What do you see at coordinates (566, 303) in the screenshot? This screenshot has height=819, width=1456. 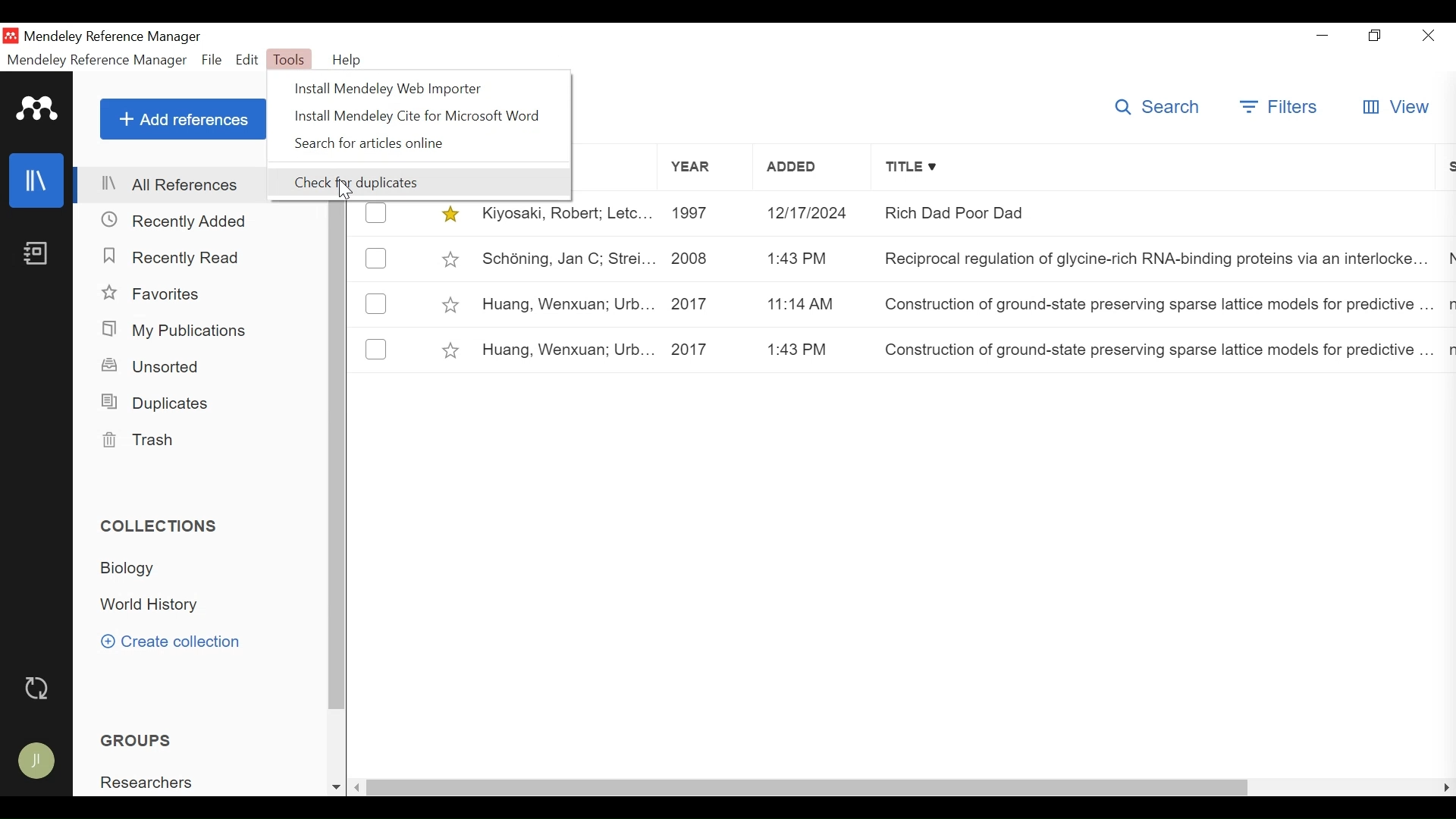 I see `Huang, Wenxuan` at bounding box center [566, 303].